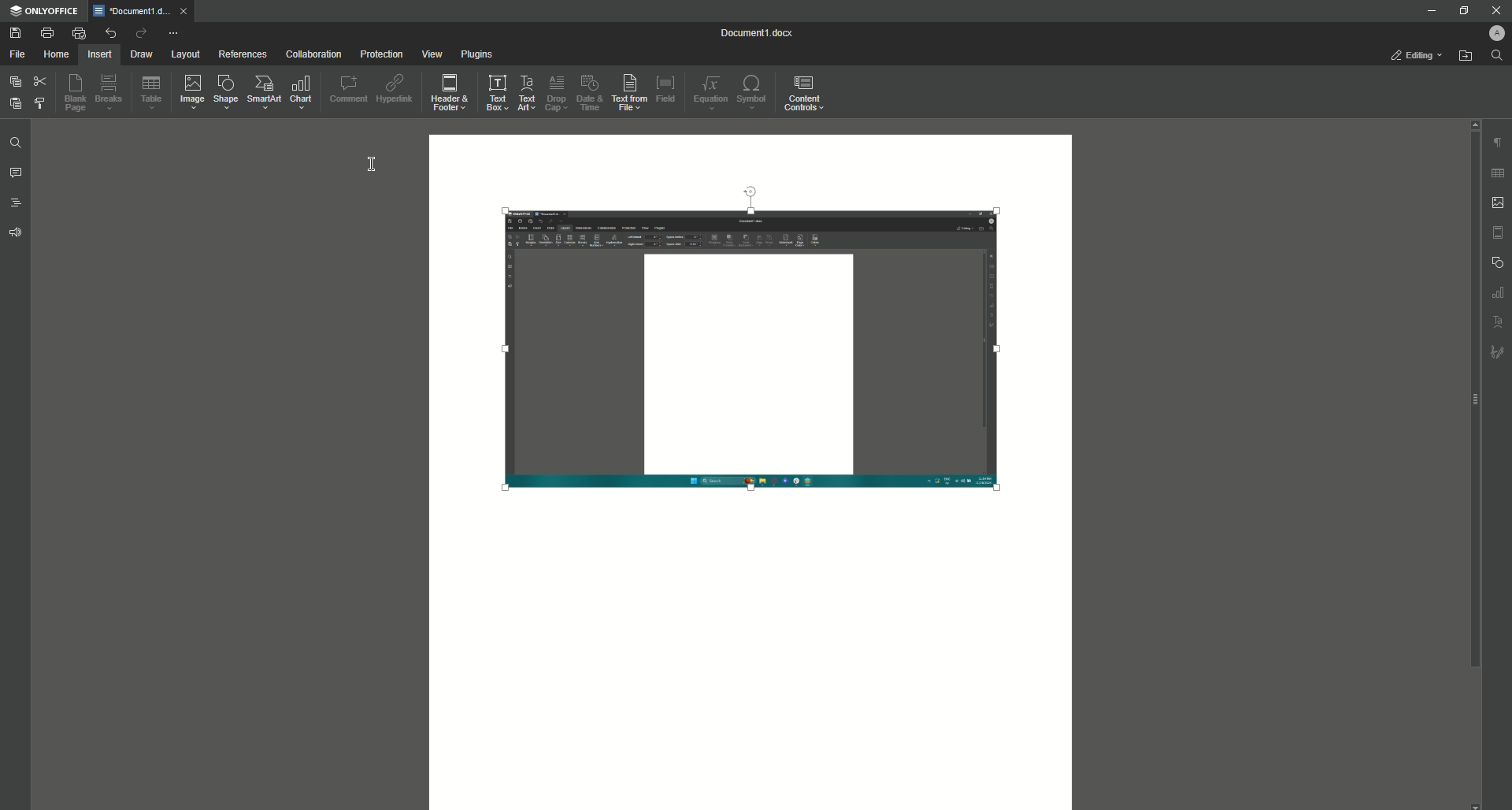 The height and width of the screenshot is (810, 1512). What do you see at coordinates (1498, 173) in the screenshot?
I see `Table Settings` at bounding box center [1498, 173].